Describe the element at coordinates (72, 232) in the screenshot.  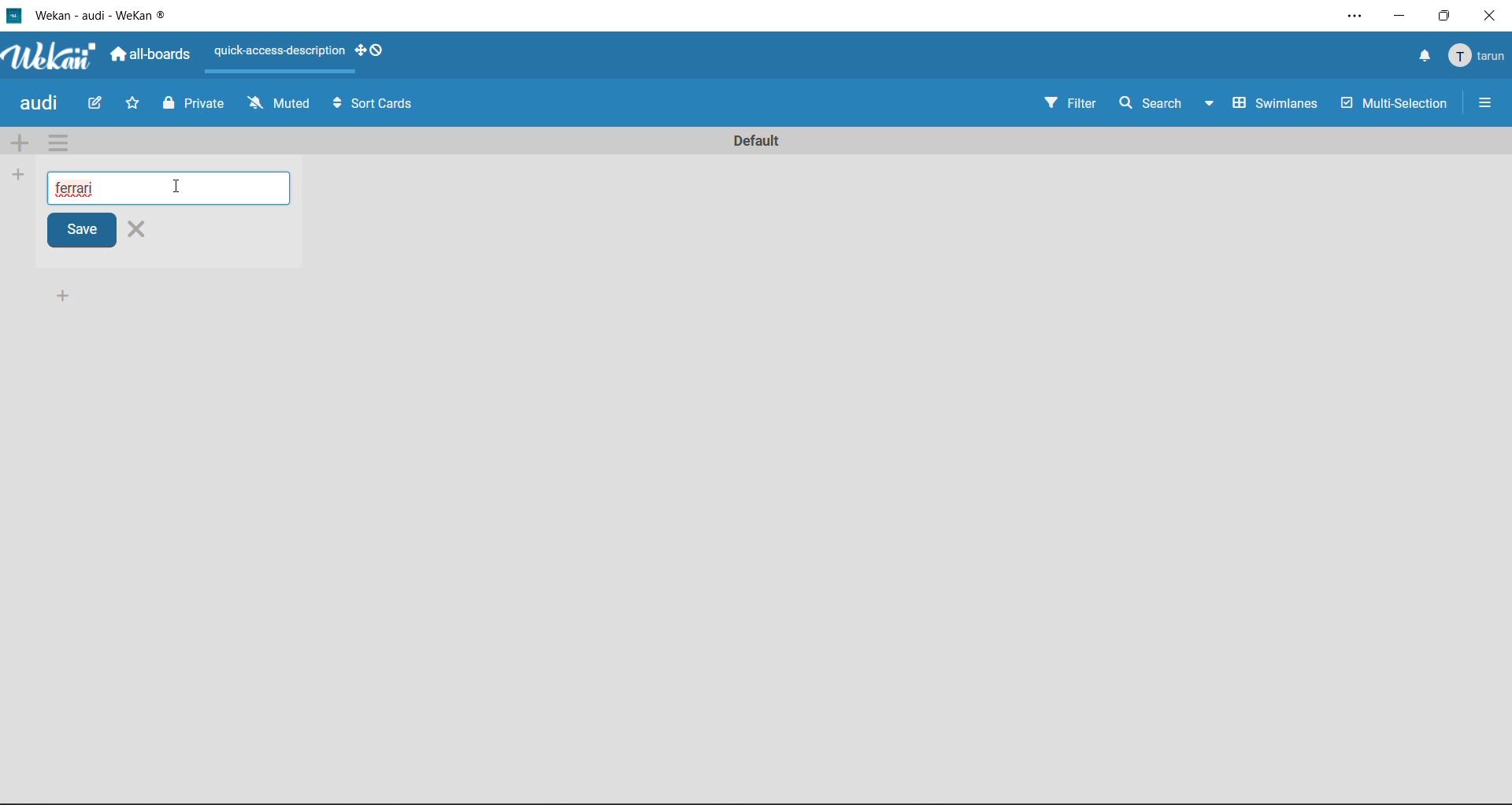
I see `Save` at that location.